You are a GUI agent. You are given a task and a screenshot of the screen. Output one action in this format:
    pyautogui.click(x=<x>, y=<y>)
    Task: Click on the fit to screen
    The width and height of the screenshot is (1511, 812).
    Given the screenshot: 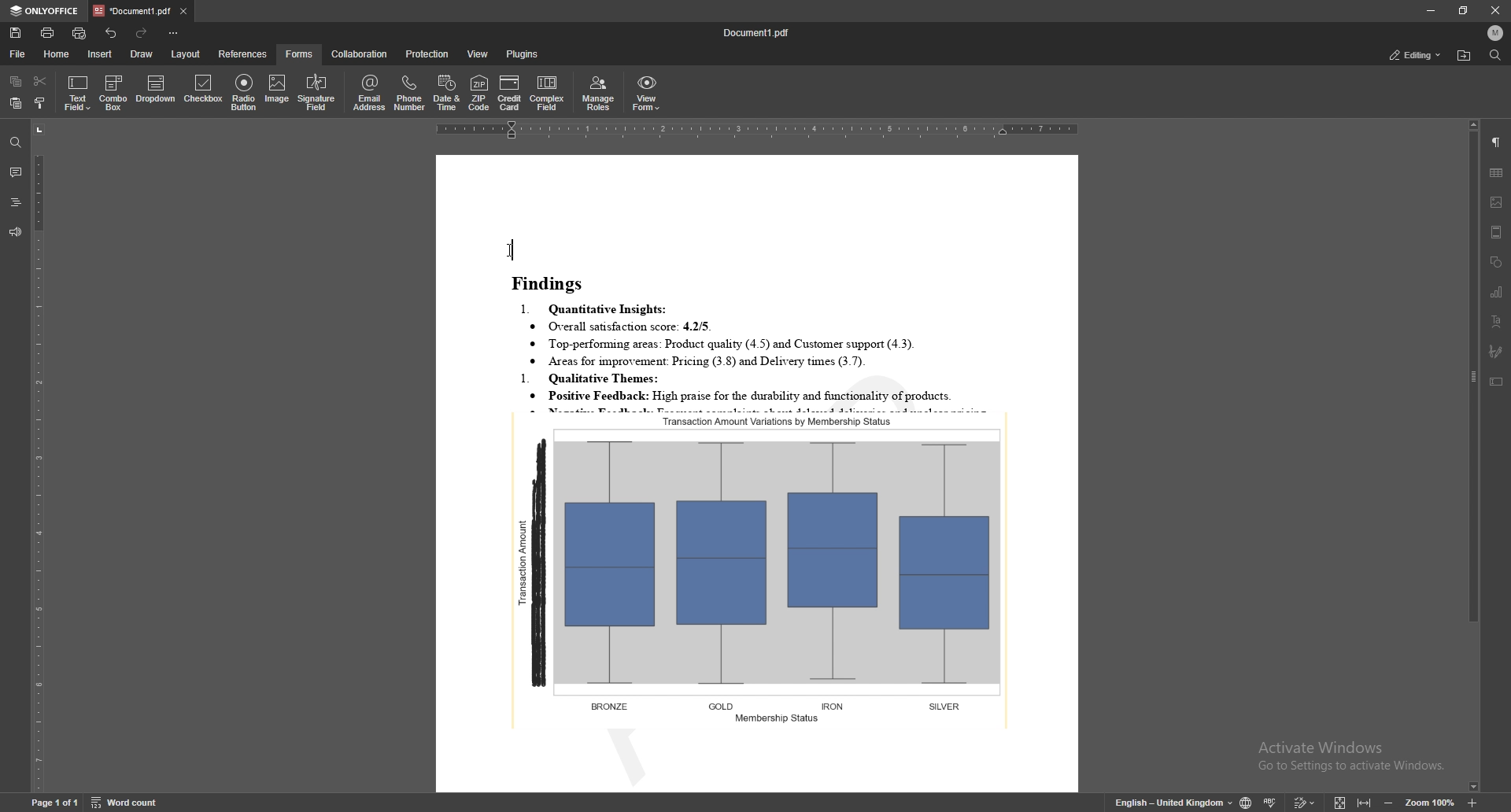 What is the action you would take?
    pyautogui.click(x=1338, y=802)
    